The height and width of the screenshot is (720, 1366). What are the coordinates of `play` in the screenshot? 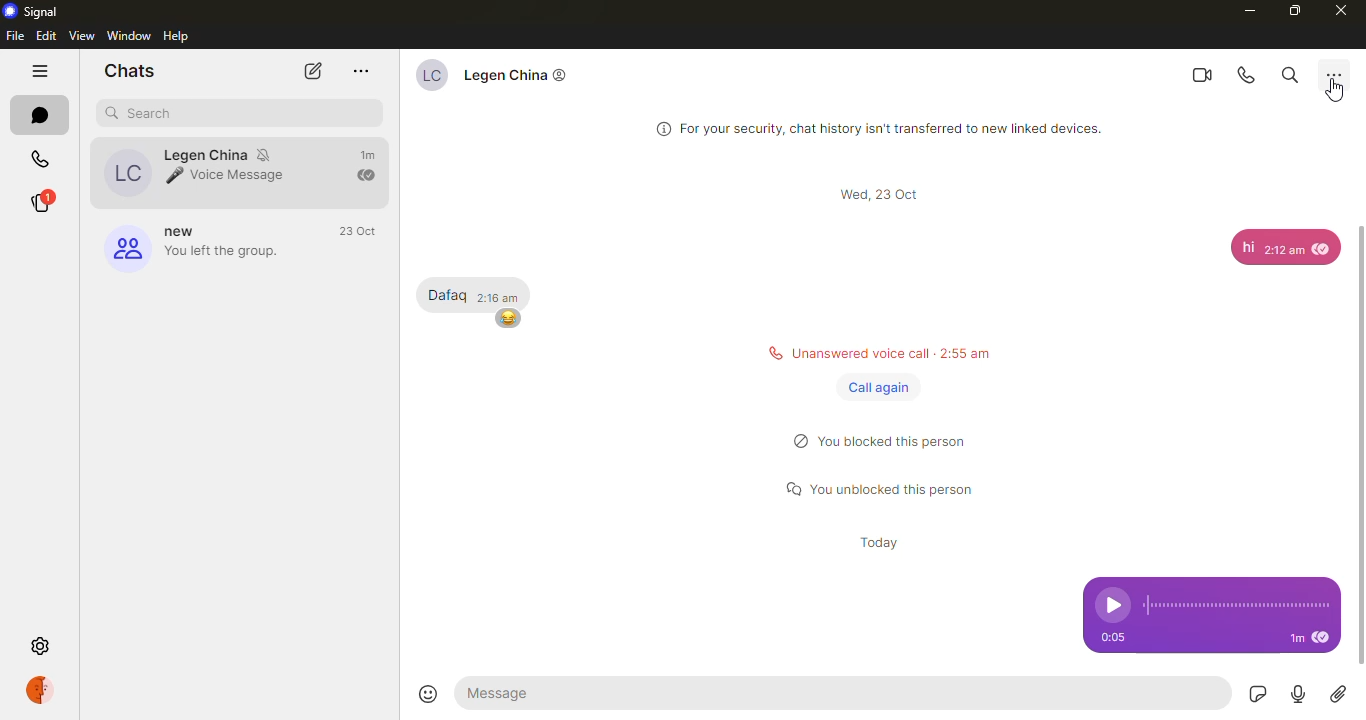 It's located at (1107, 605).